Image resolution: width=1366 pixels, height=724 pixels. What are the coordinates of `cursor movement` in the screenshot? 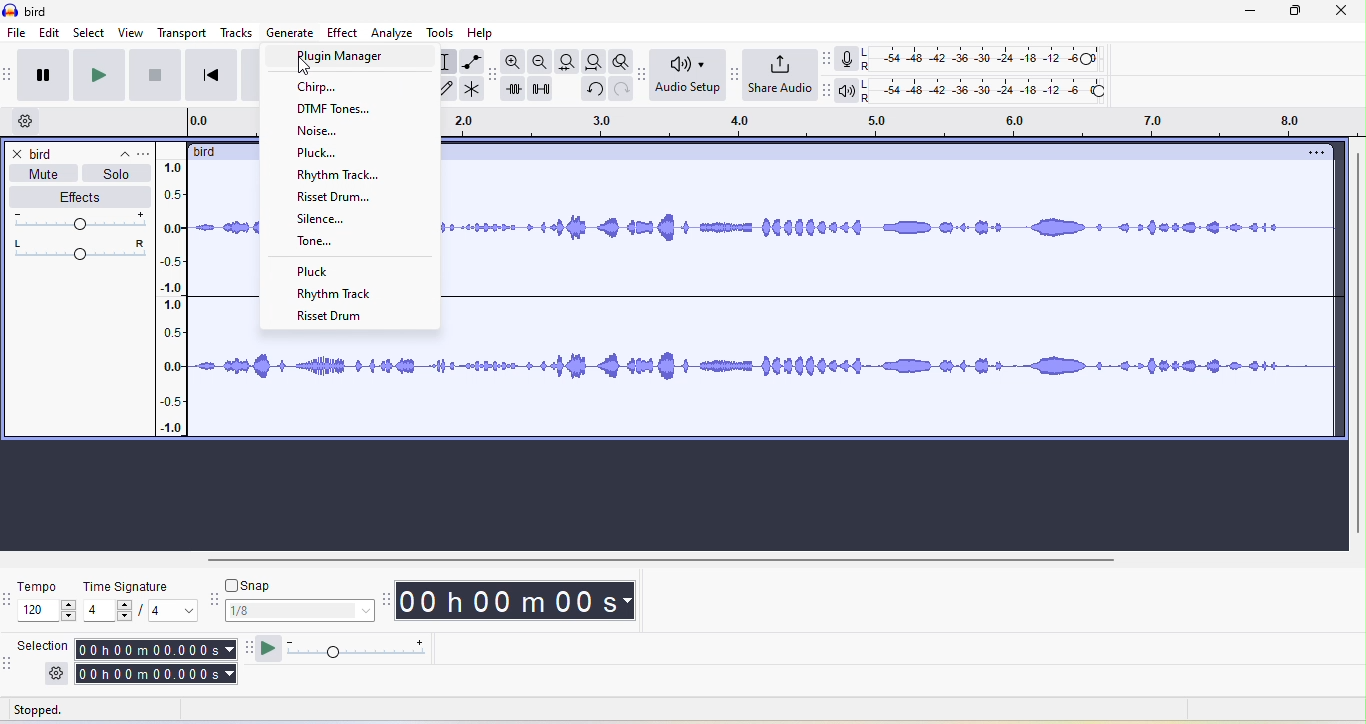 It's located at (305, 66).